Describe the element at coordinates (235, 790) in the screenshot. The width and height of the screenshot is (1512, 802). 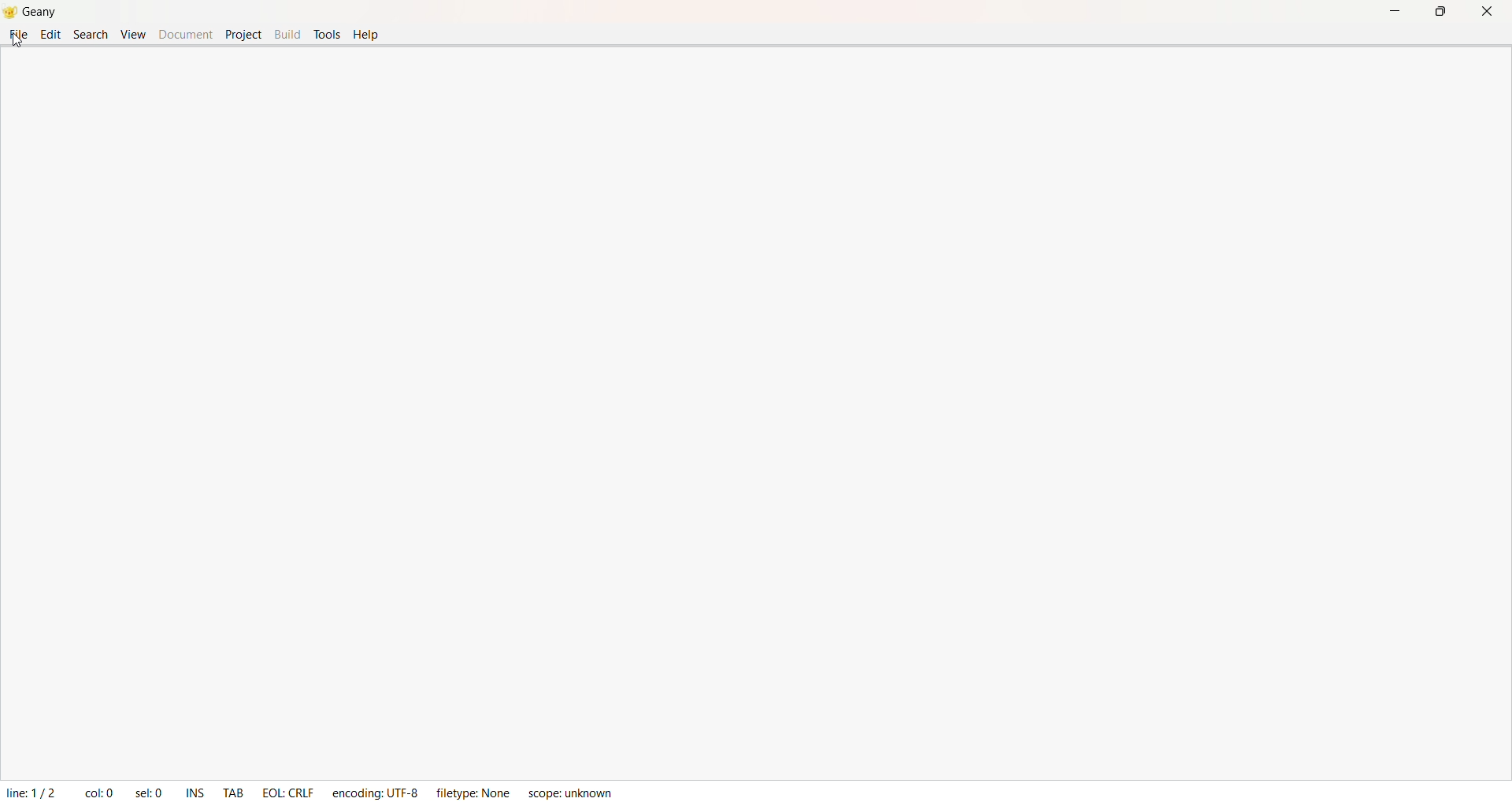
I see `TAB` at that location.